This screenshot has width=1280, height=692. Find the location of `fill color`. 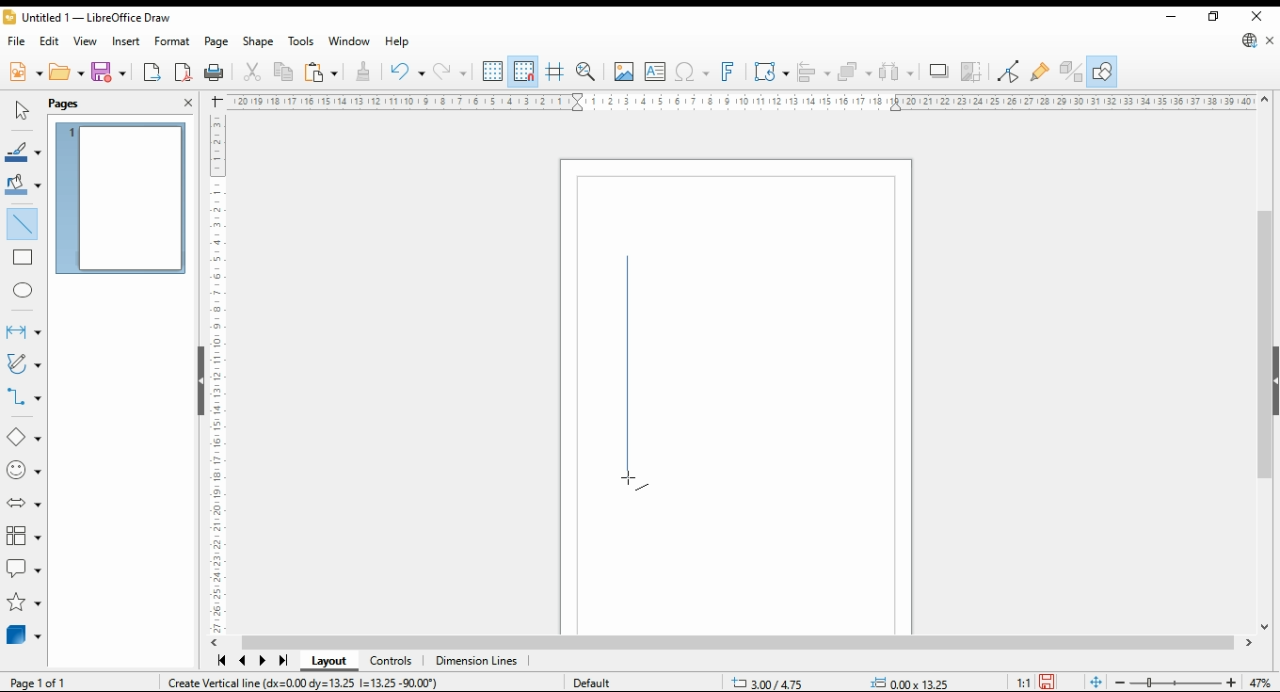

fill color is located at coordinates (22, 183).